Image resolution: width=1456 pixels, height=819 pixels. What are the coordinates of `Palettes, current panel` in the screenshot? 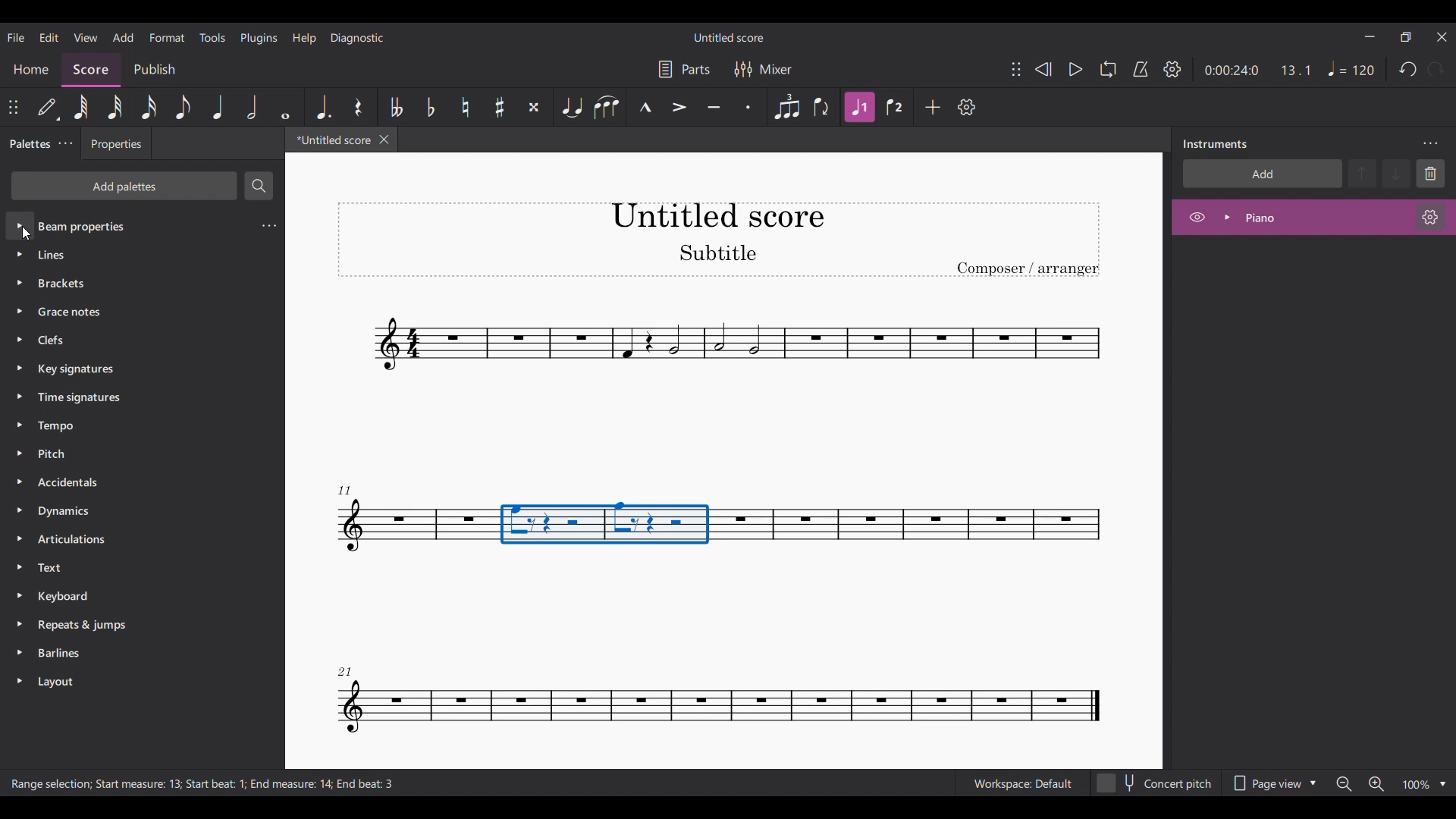 It's located at (27, 146).